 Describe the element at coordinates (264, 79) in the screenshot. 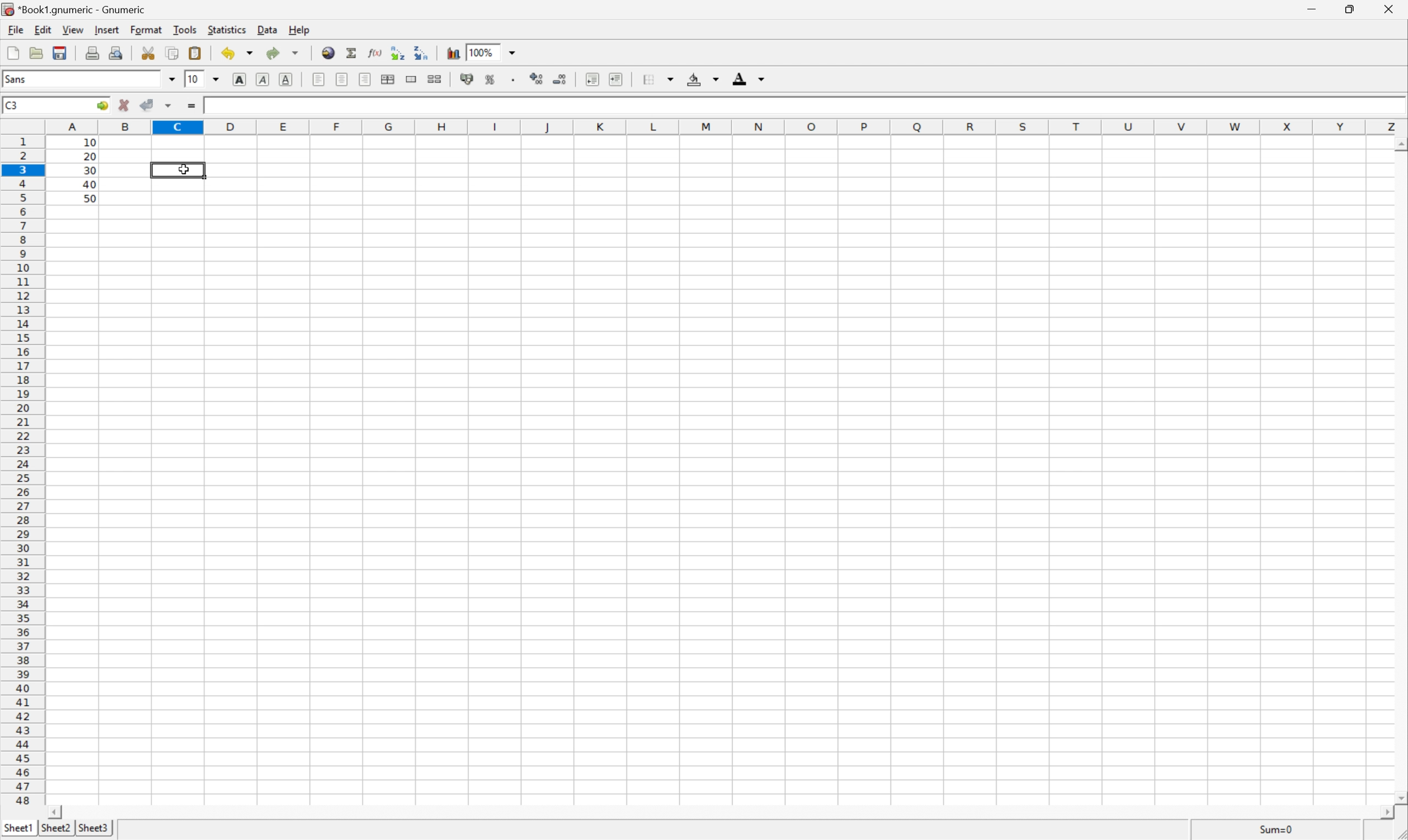

I see `Italic` at that location.